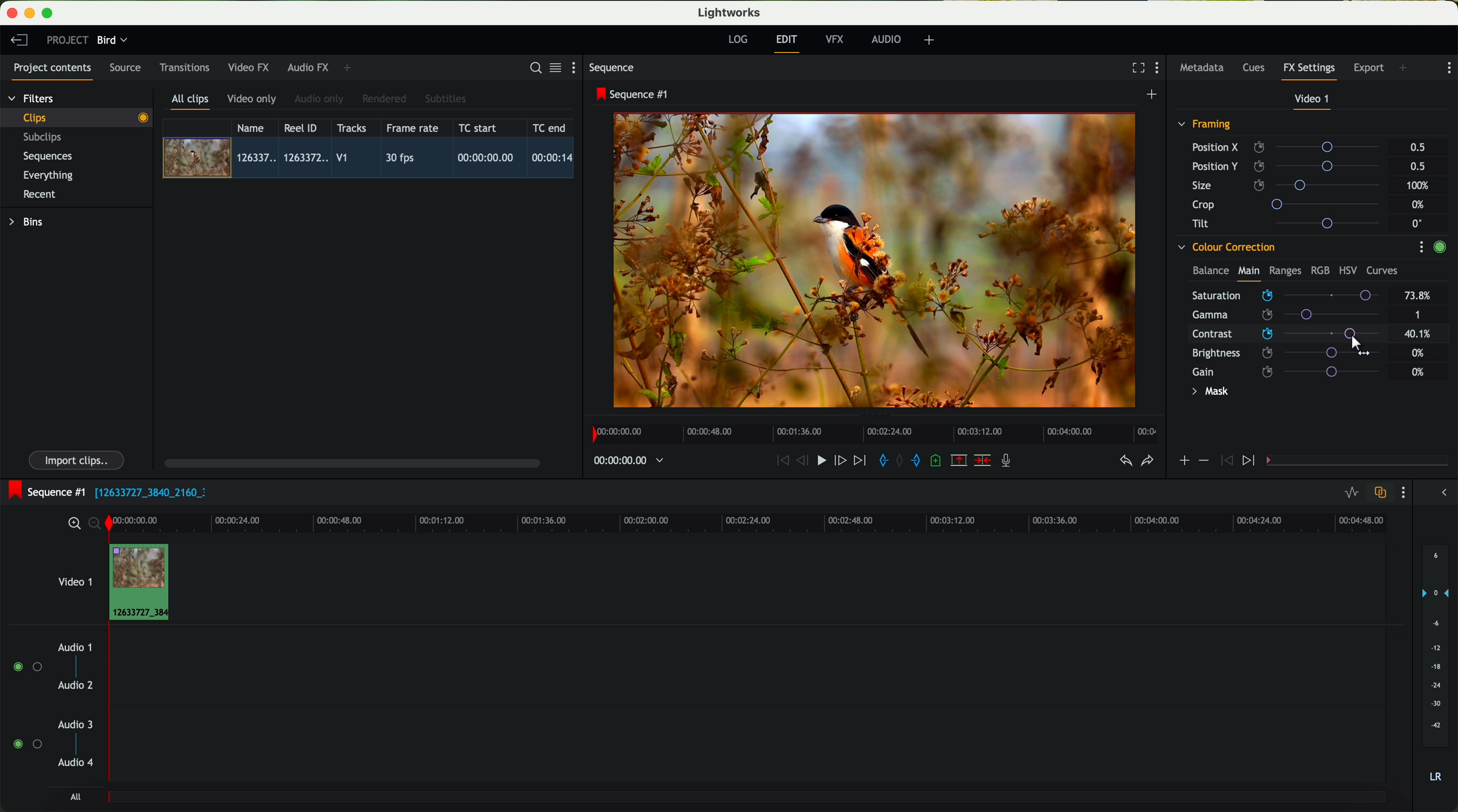 The image size is (1458, 812). I want to click on zoom out, so click(96, 525).